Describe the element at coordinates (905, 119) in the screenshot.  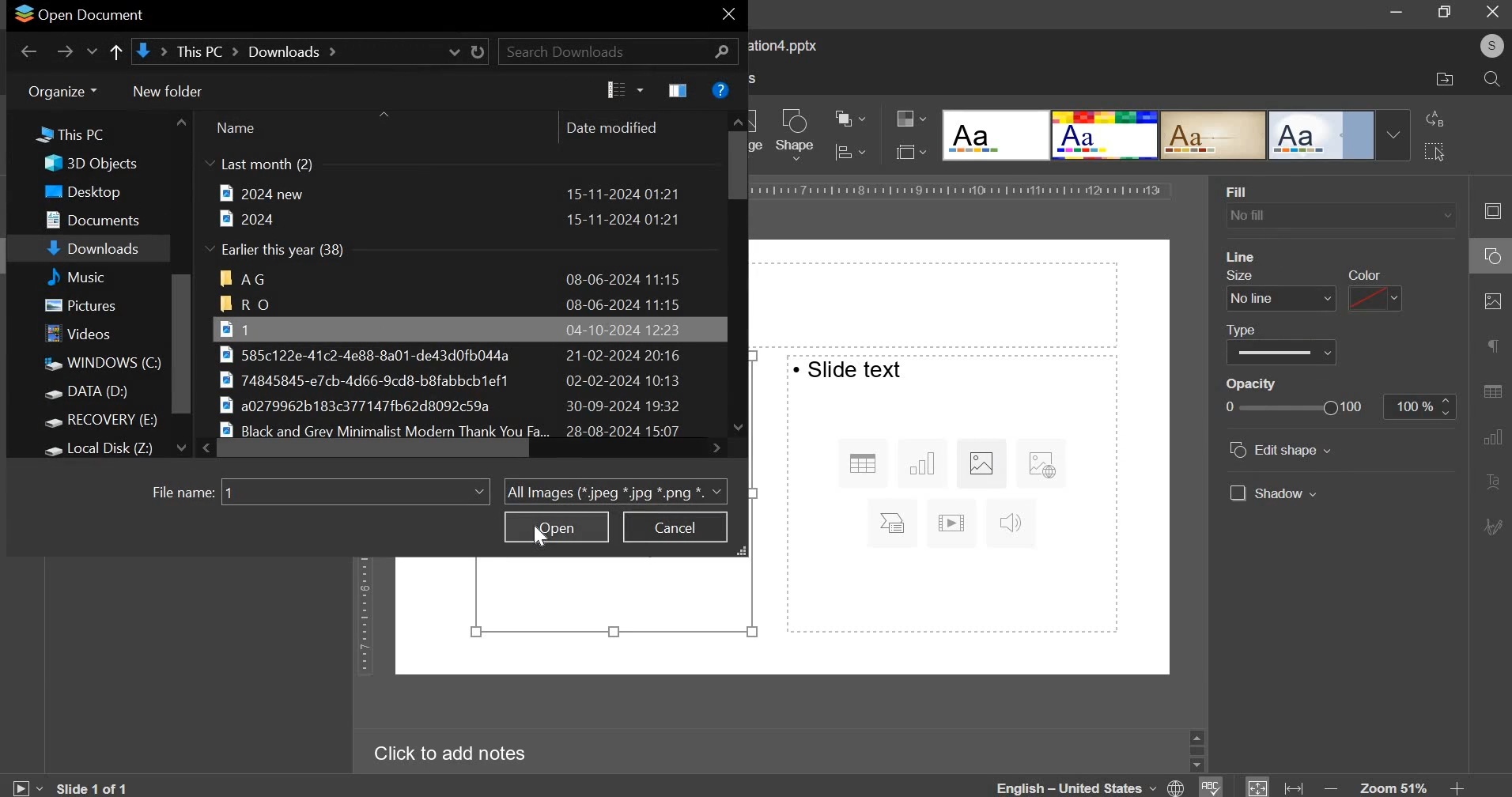
I see `change color theme` at that location.